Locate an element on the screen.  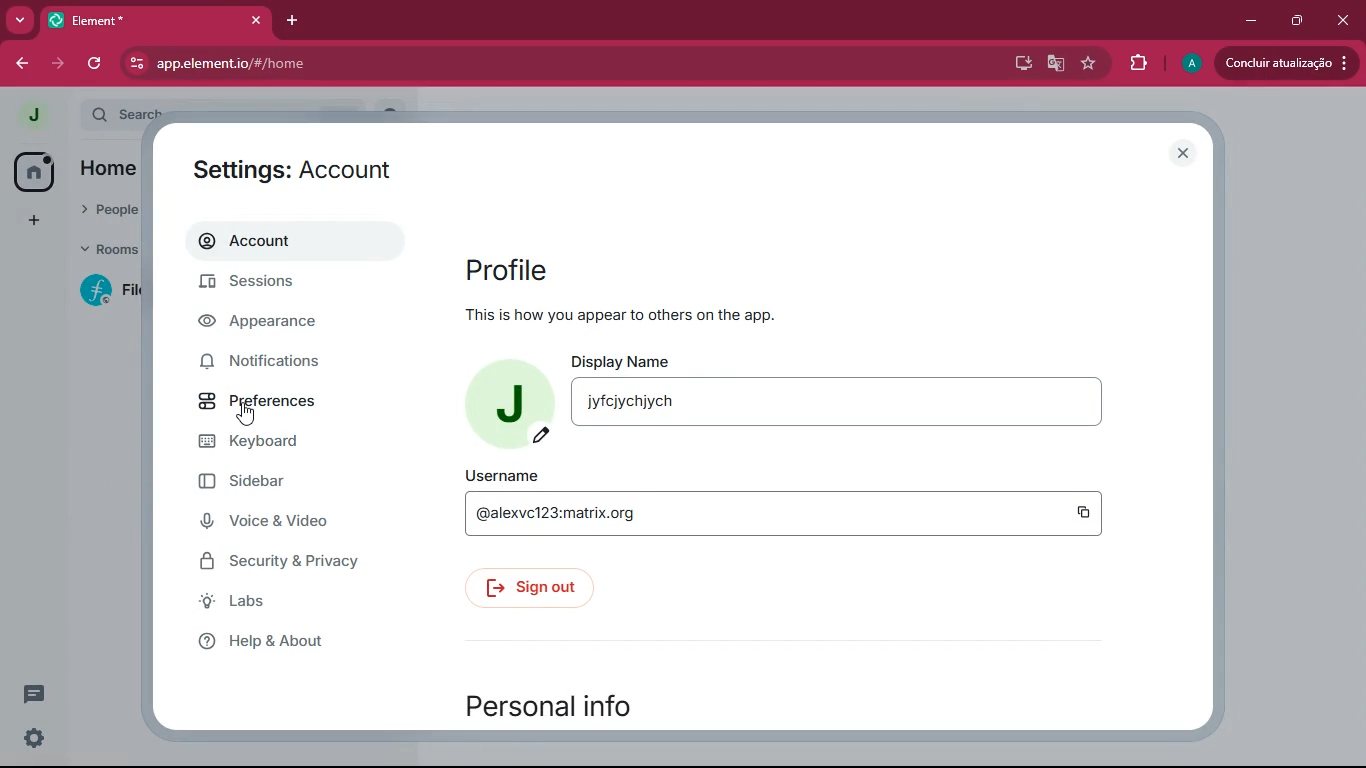
@alexvc123:matrix.org is located at coordinates (761, 513).